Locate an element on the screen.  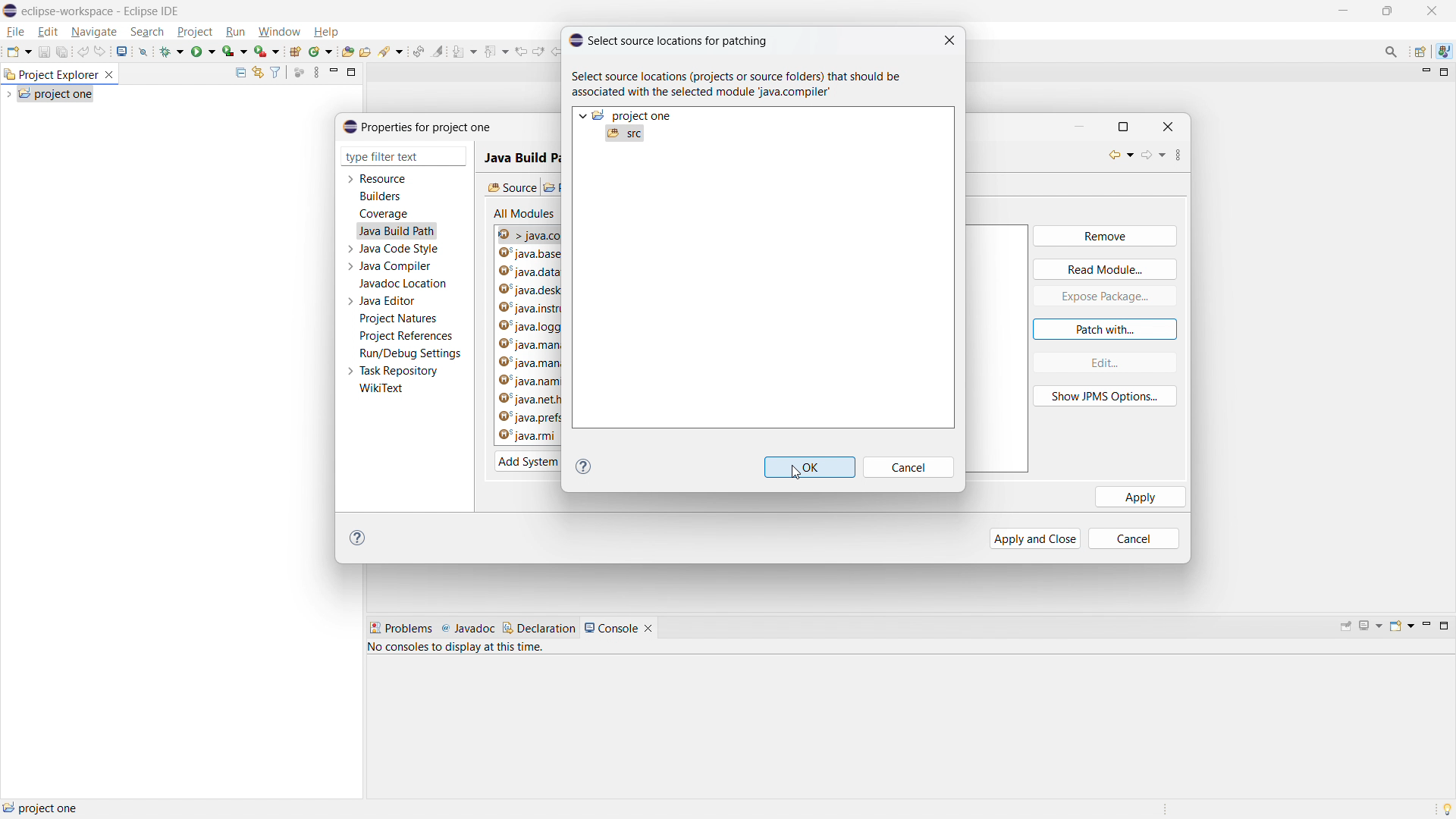
select and deselect filters is located at coordinates (275, 73).